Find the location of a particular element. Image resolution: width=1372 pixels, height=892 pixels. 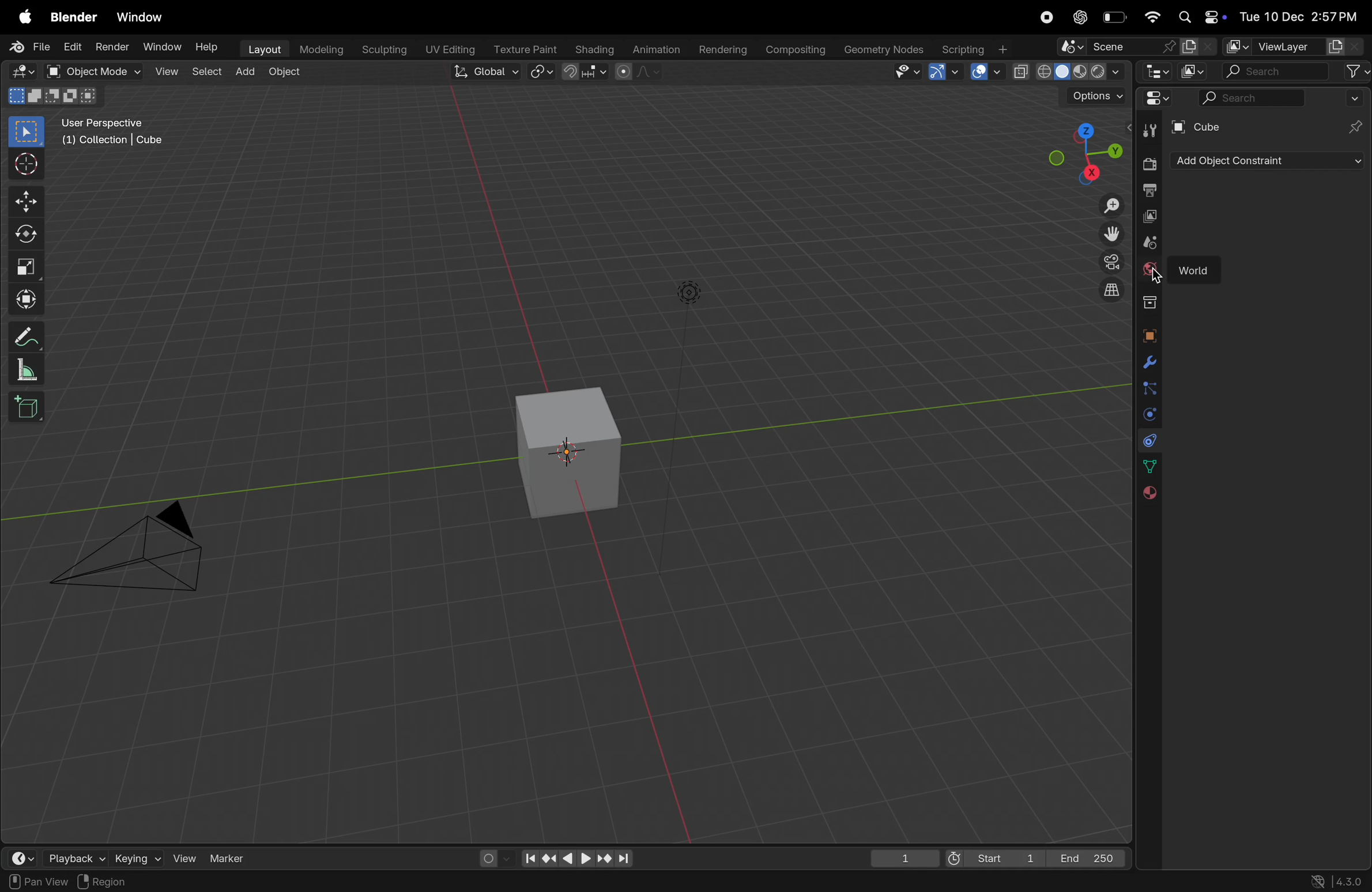

editor is located at coordinates (1156, 73).